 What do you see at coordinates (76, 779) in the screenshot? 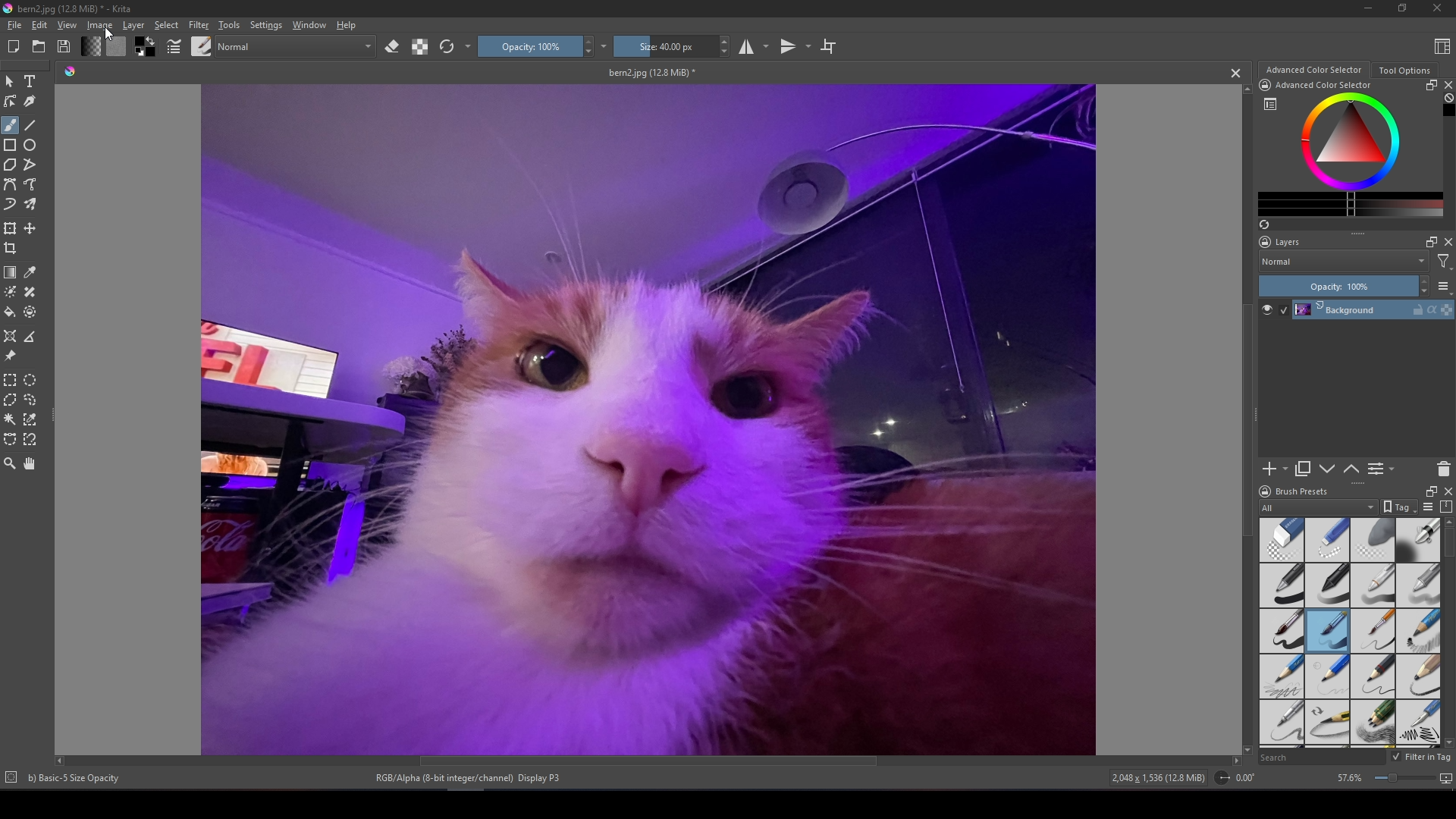
I see `basic-5 size Opacity` at bounding box center [76, 779].